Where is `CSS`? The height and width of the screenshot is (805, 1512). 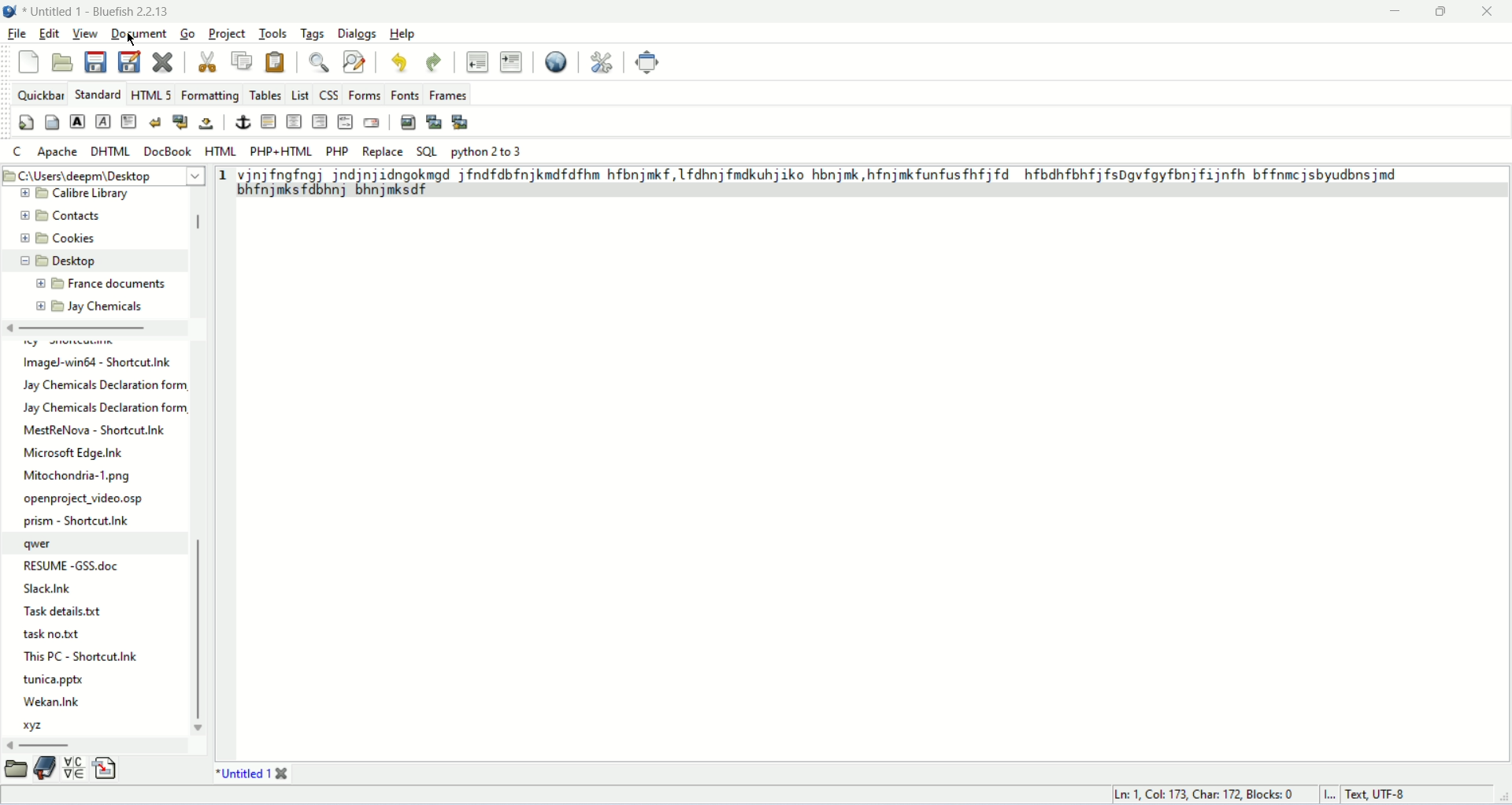
CSS is located at coordinates (331, 95).